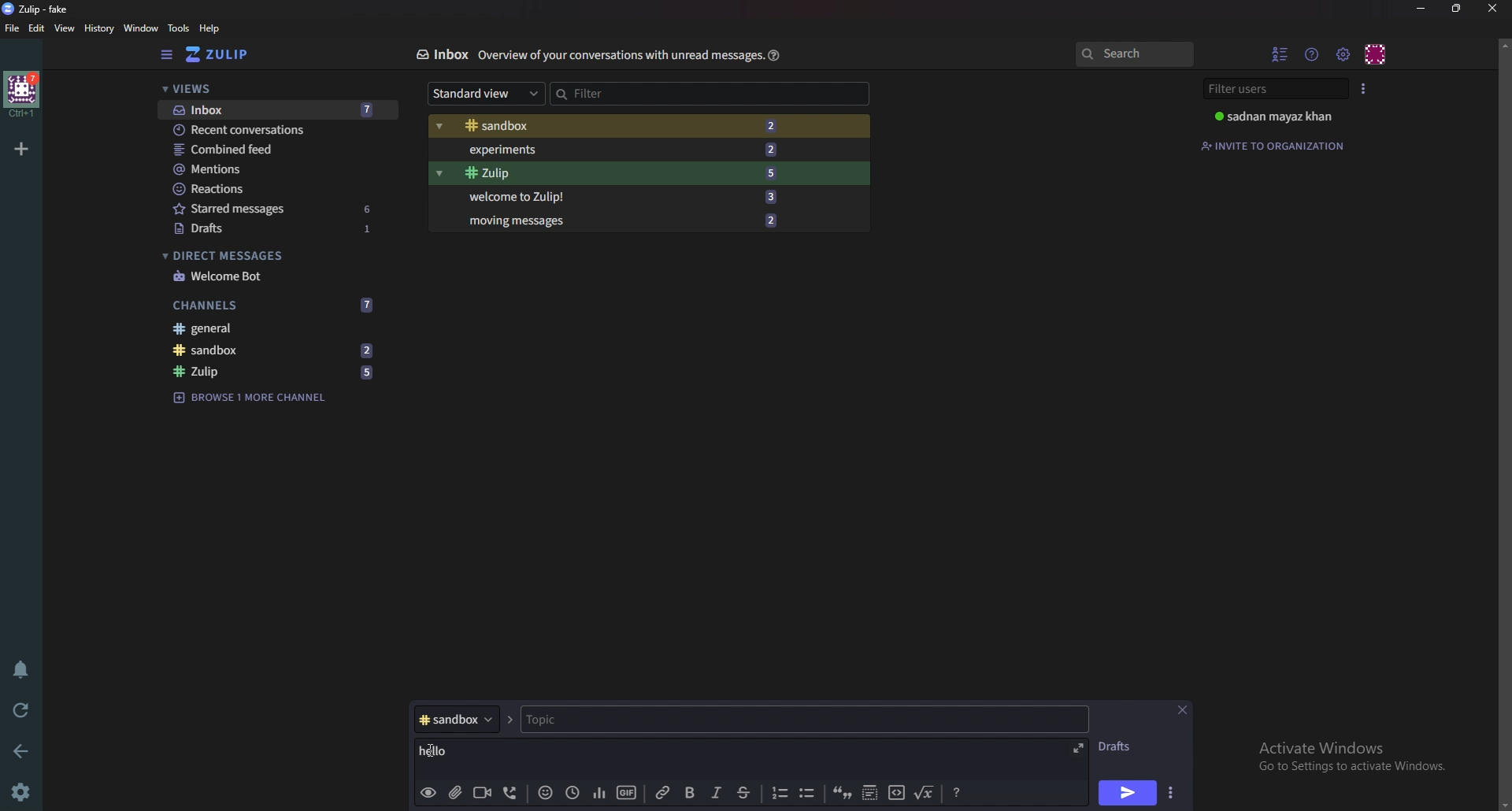  What do you see at coordinates (13, 28) in the screenshot?
I see `File` at bounding box center [13, 28].